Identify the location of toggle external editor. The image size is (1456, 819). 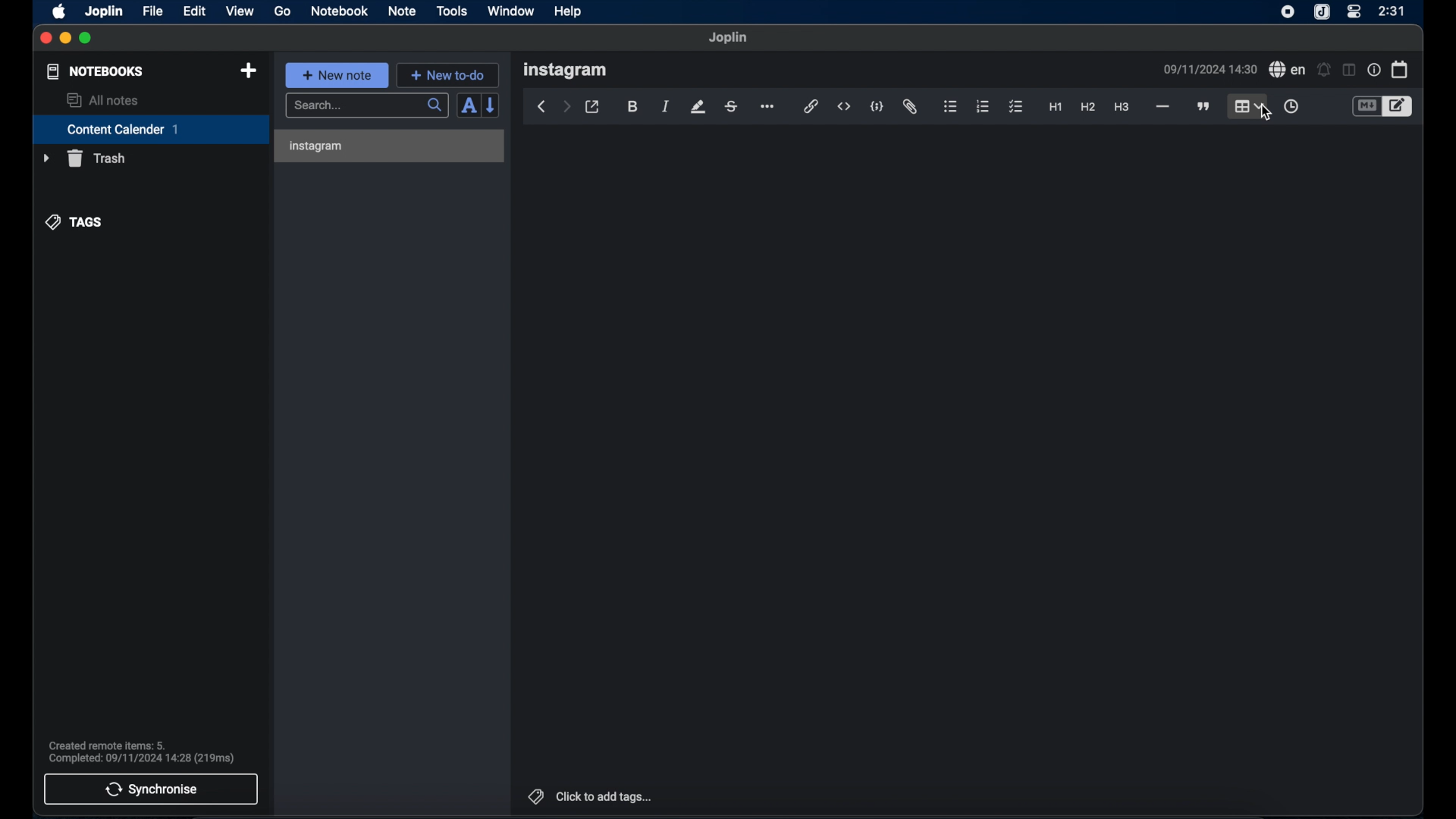
(592, 107).